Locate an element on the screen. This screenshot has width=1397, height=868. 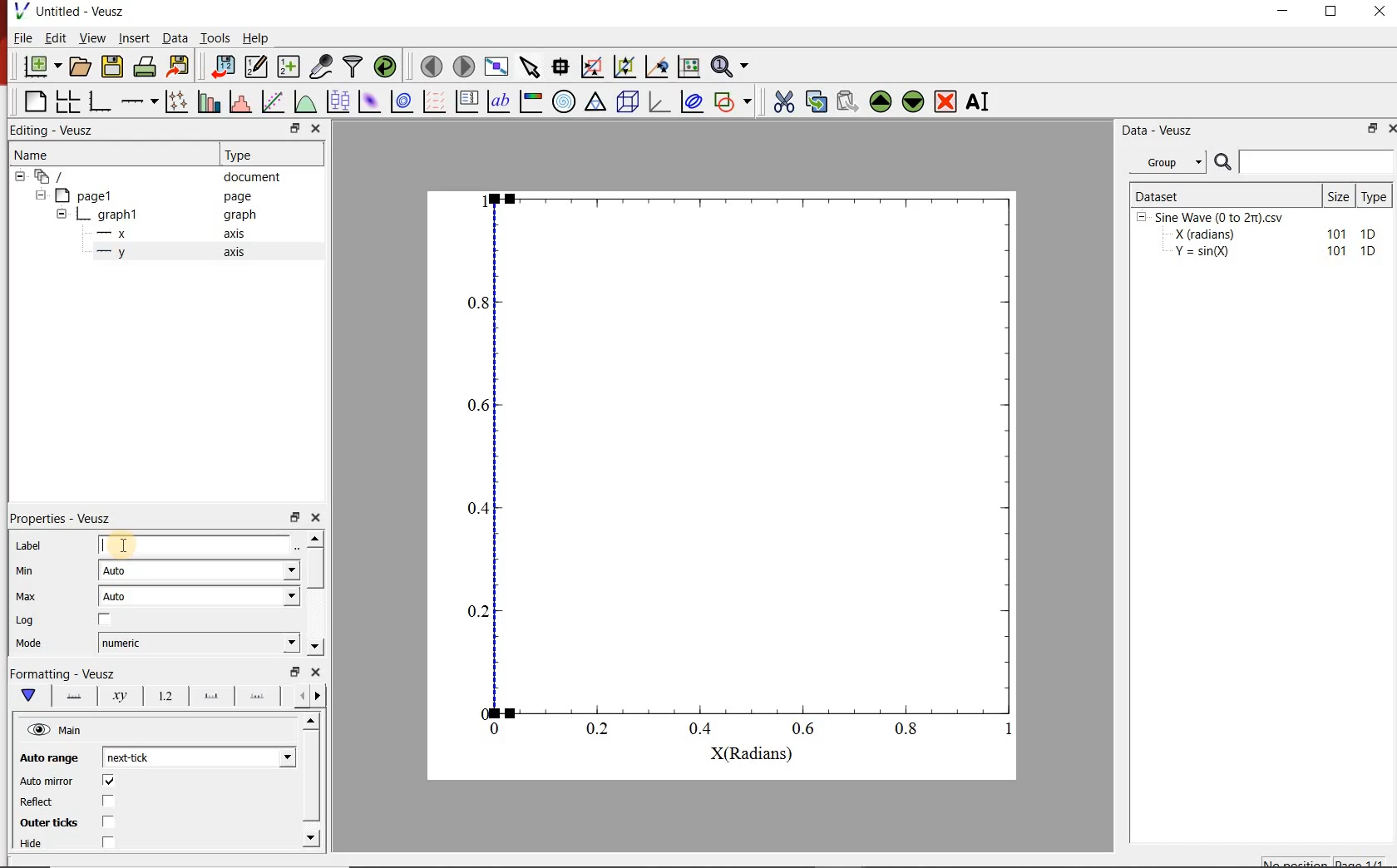
plot points is located at coordinates (179, 101).